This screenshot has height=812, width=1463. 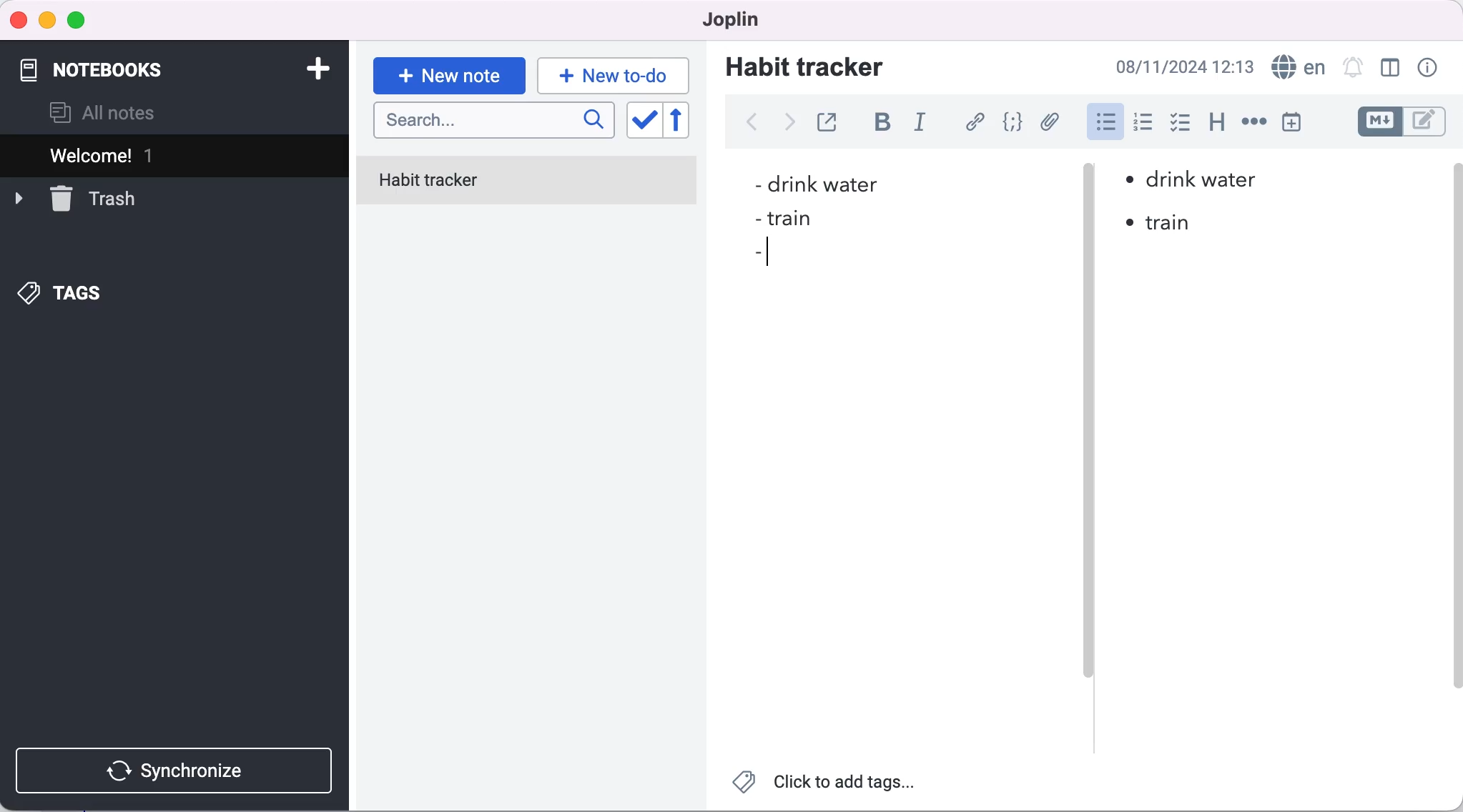 I want to click on checkbox, so click(x=1181, y=124).